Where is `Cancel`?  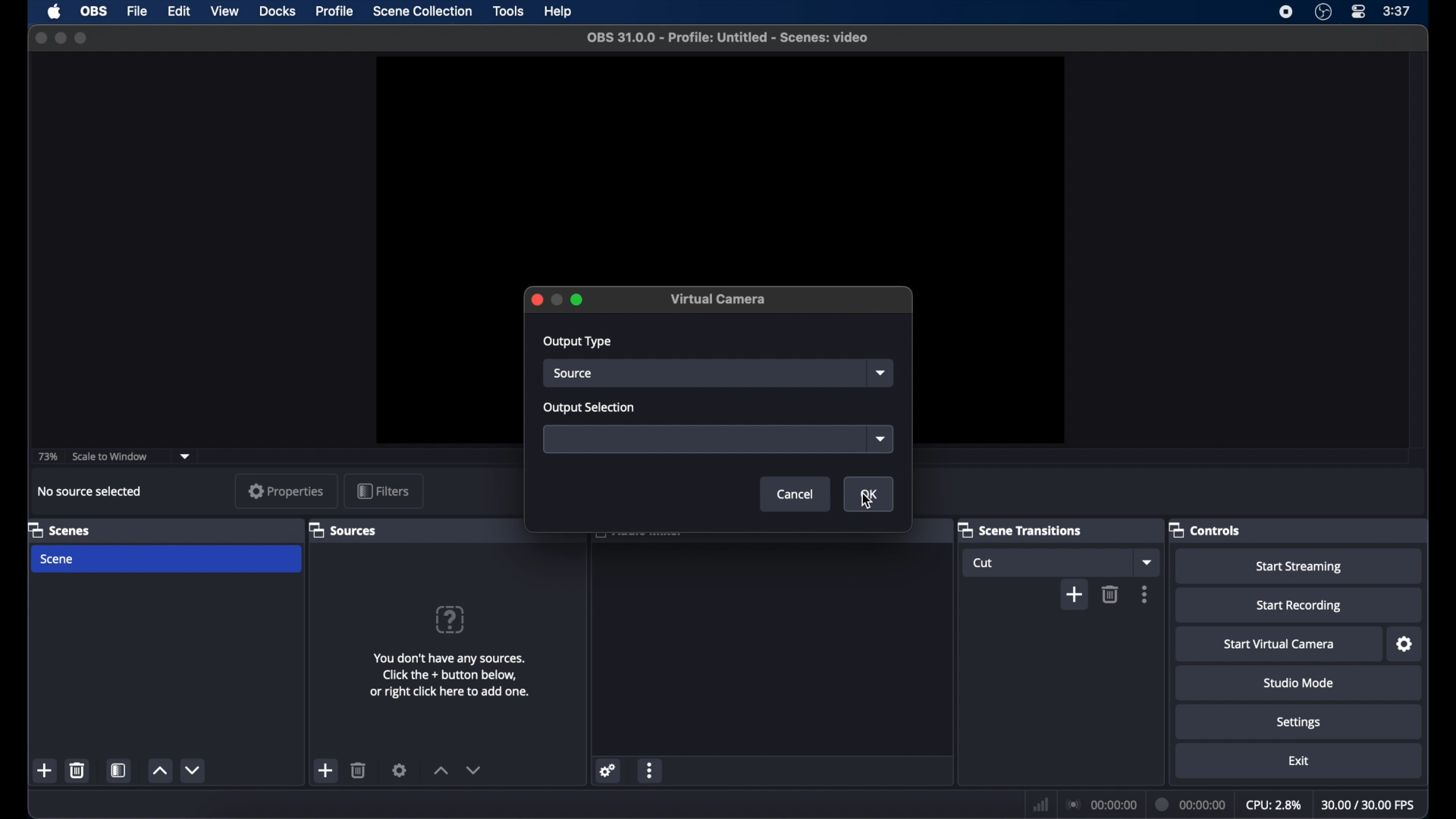
Cancel is located at coordinates (796, 494).